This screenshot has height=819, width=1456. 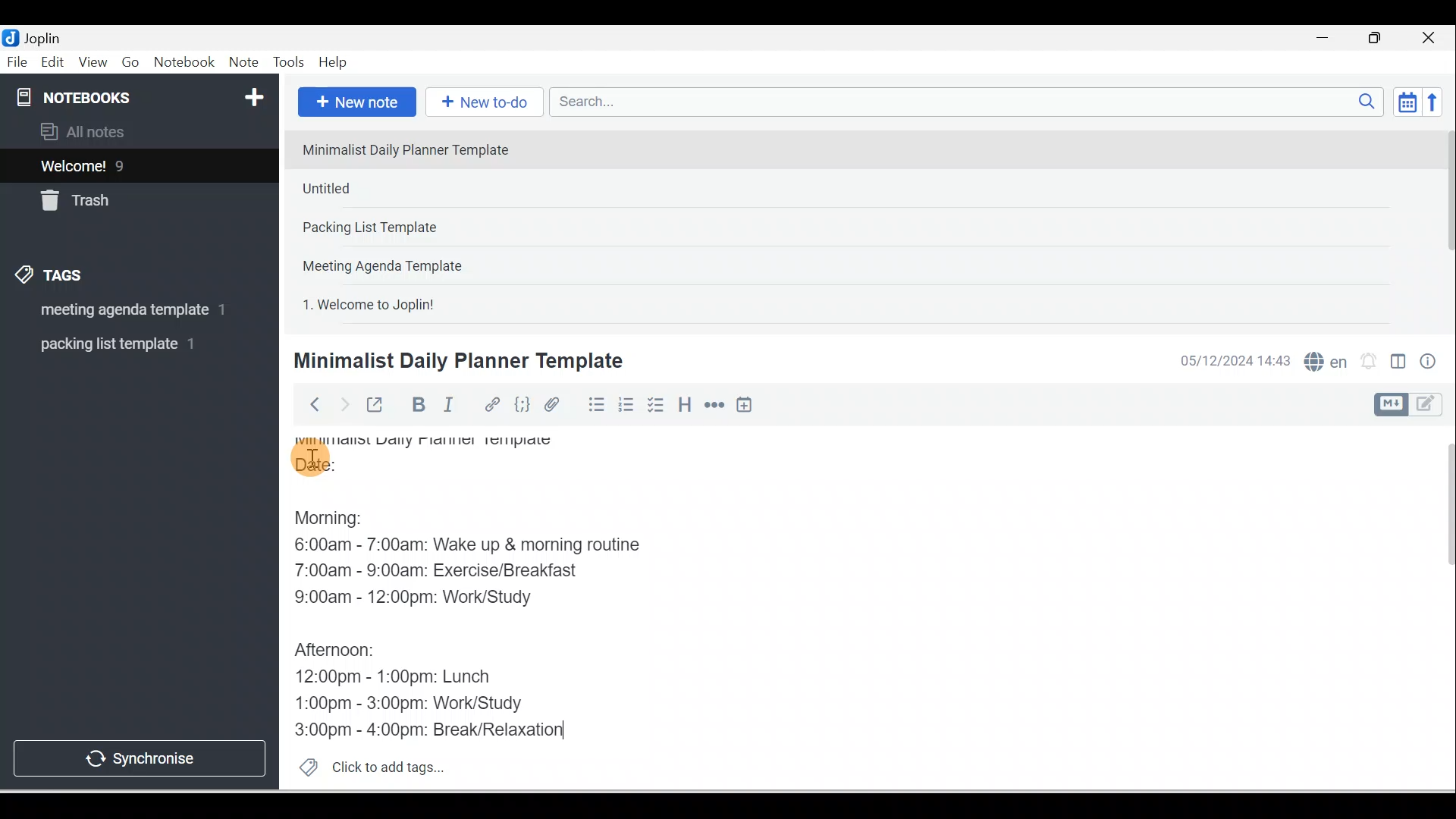 I want to click on 1:00pm - 3:00pm: Work/Study, so click(x=411, y=704).